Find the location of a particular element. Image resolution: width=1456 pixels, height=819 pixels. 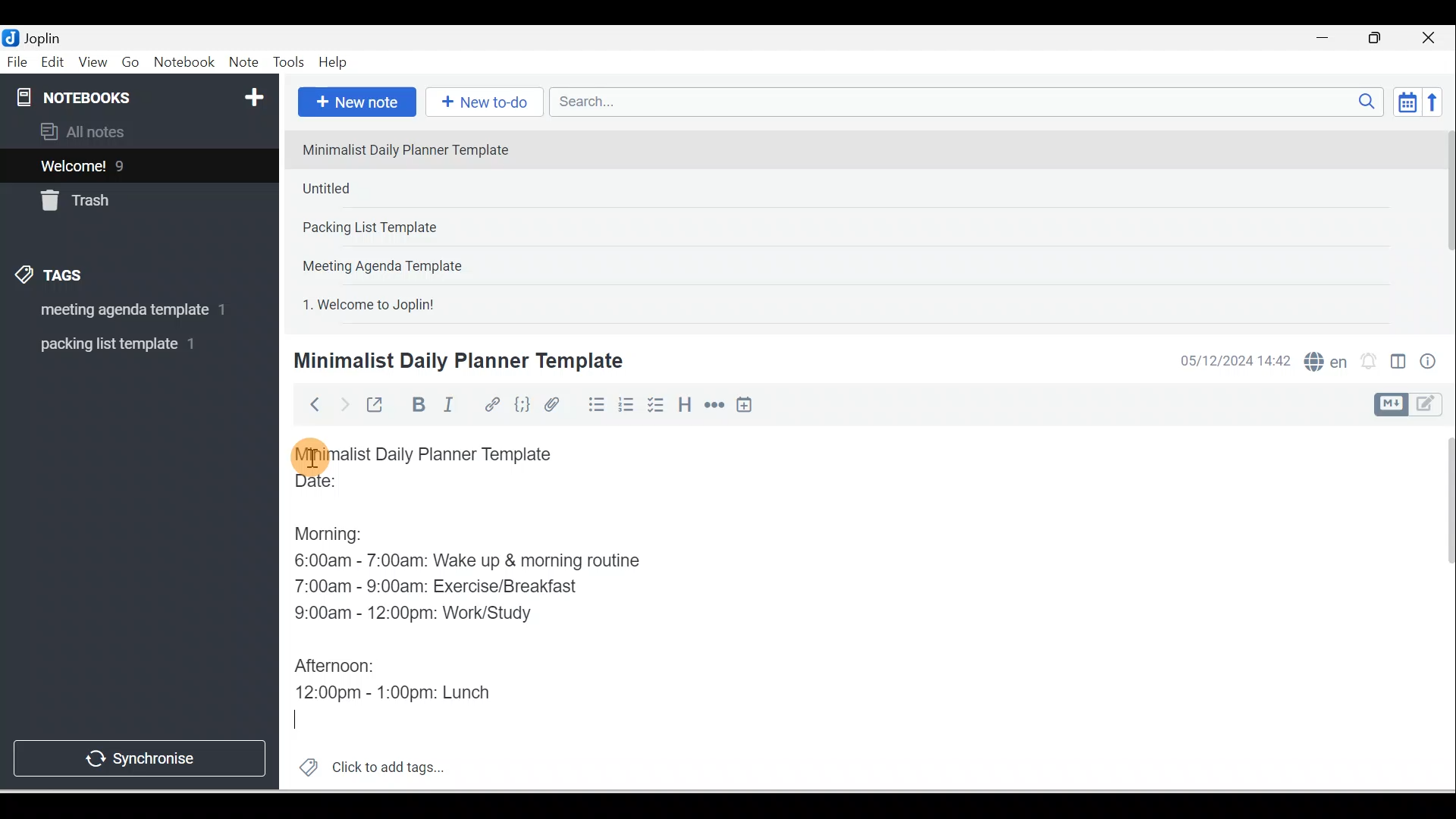

Italic is located at coordinates (451, 407).